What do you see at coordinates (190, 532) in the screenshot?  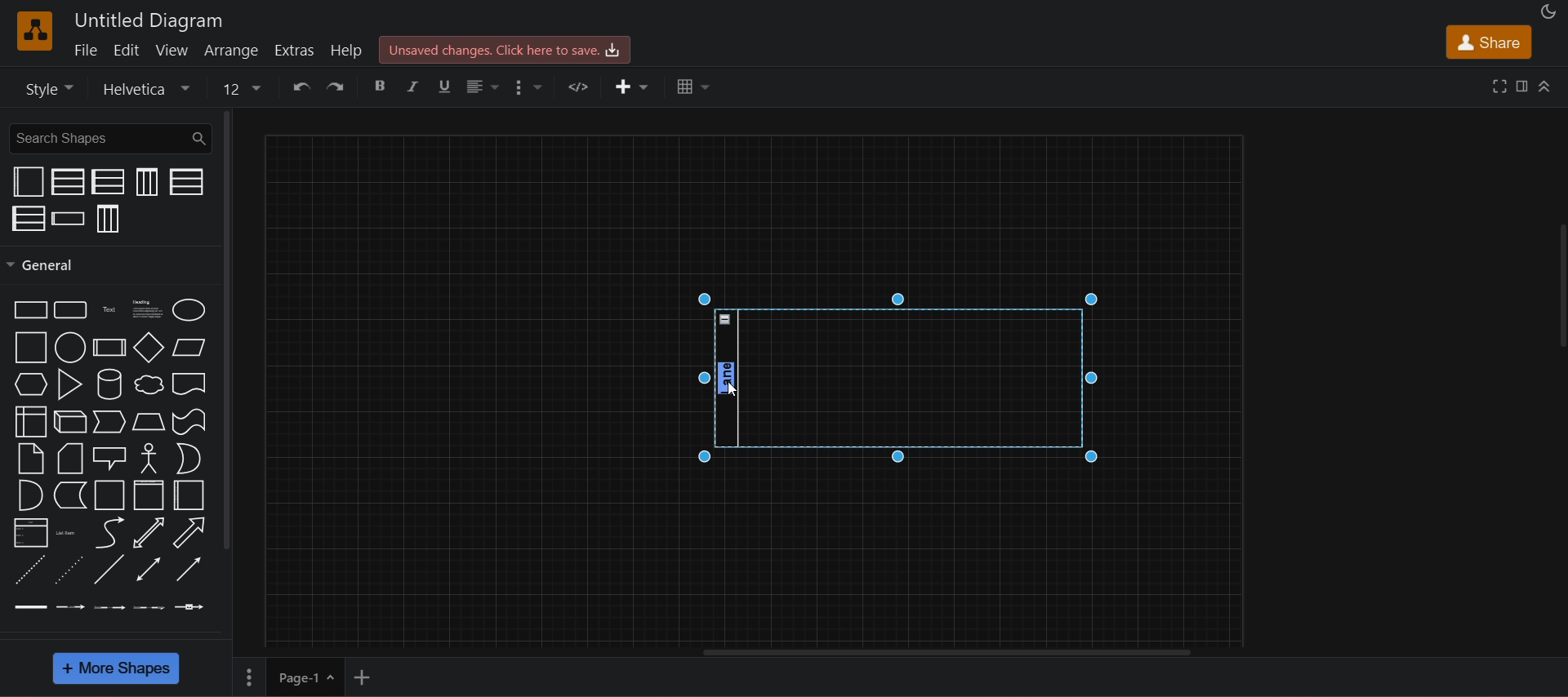 I see `arrow` at bounding box center [190, 532].